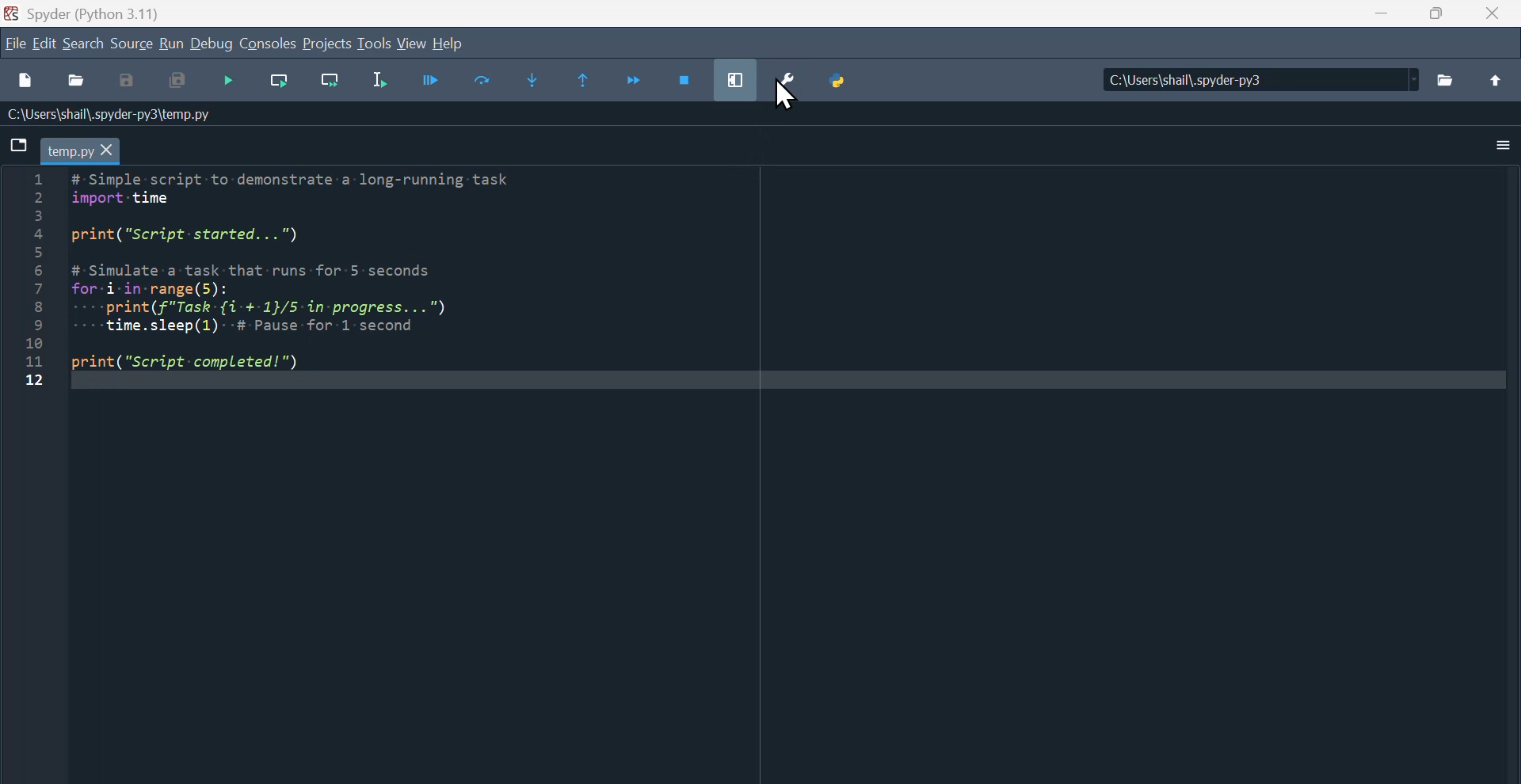 The width and height of the screenshot is (1521, 784). I want to click on Consoles, so click(269, 43).